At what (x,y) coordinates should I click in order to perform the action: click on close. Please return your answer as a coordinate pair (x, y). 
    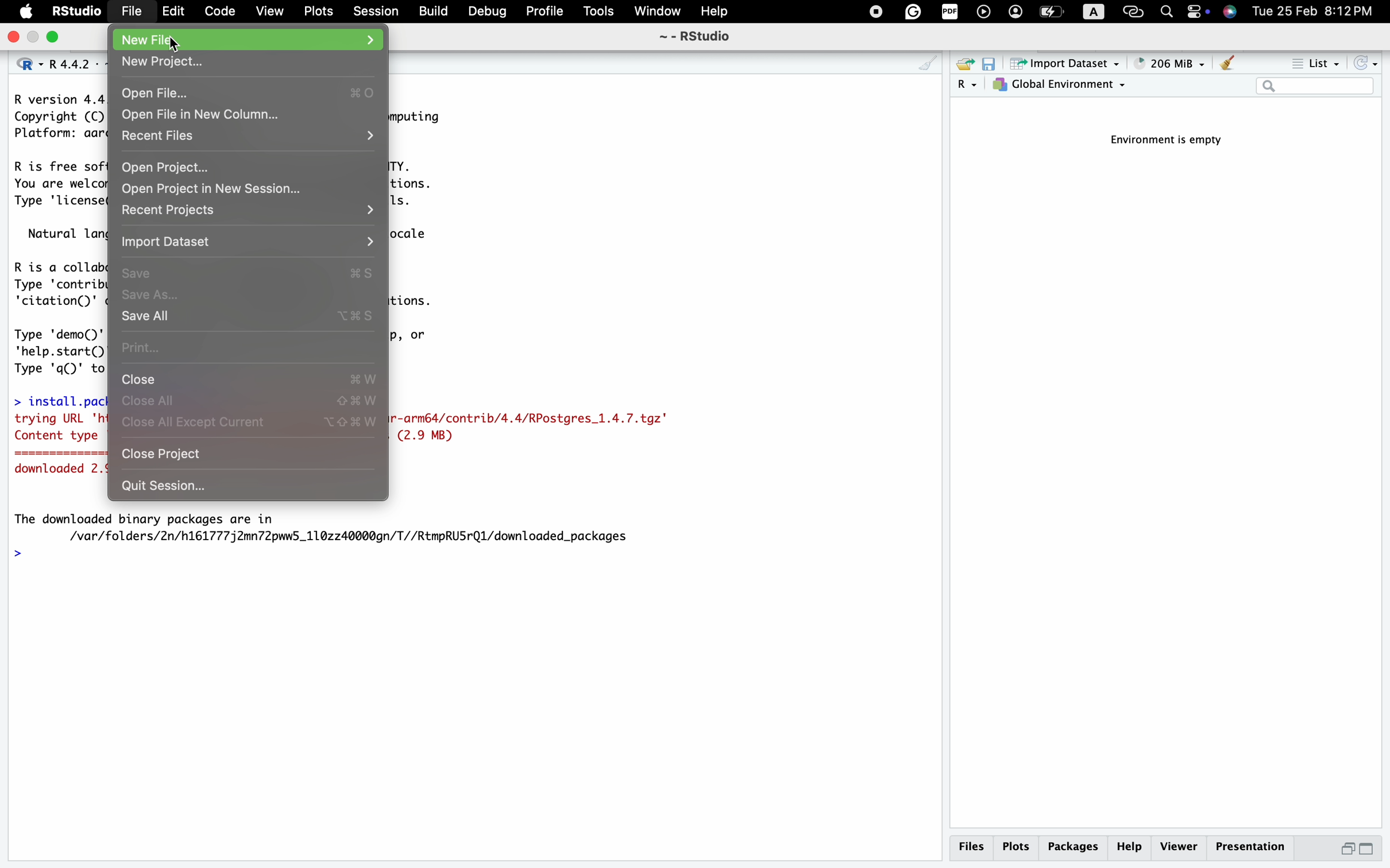
    Looking at the image, I should click on (14, 37).